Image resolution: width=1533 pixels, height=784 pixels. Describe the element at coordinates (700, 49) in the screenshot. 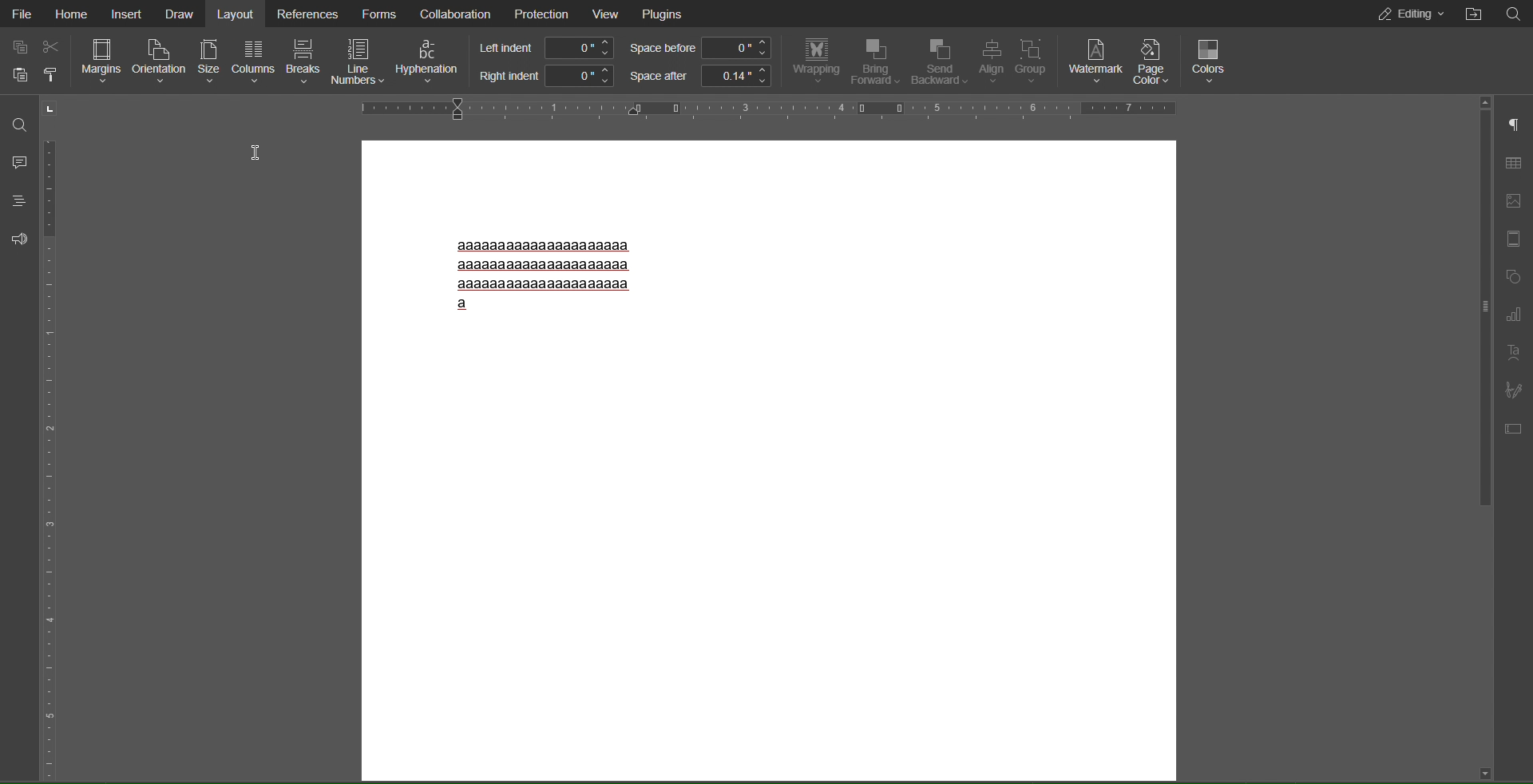

I see `Spaces Before` at that location.